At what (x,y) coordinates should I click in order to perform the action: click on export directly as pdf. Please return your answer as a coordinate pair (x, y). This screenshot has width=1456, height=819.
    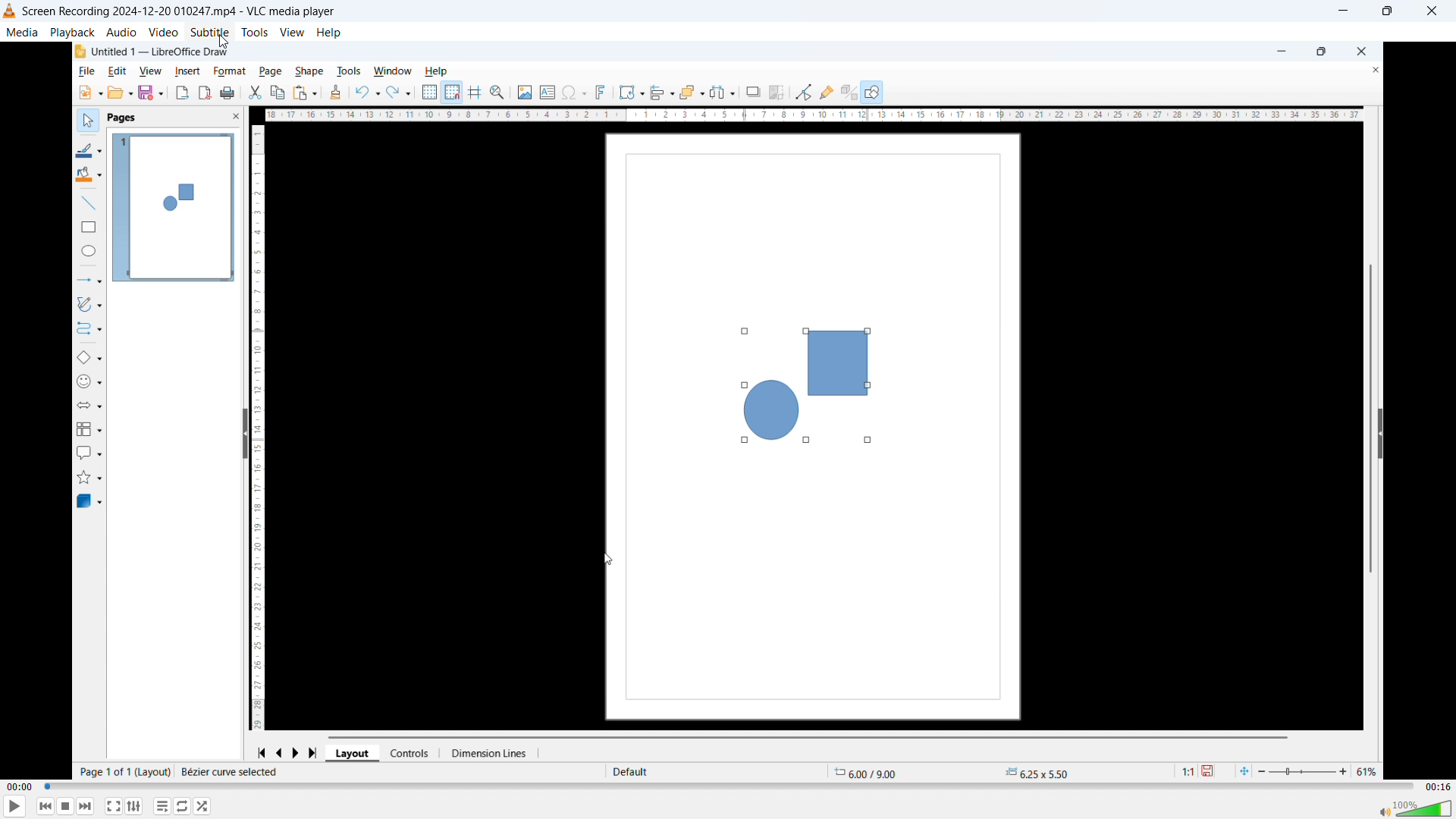
    Looking at the image, I should click on (206, 93).